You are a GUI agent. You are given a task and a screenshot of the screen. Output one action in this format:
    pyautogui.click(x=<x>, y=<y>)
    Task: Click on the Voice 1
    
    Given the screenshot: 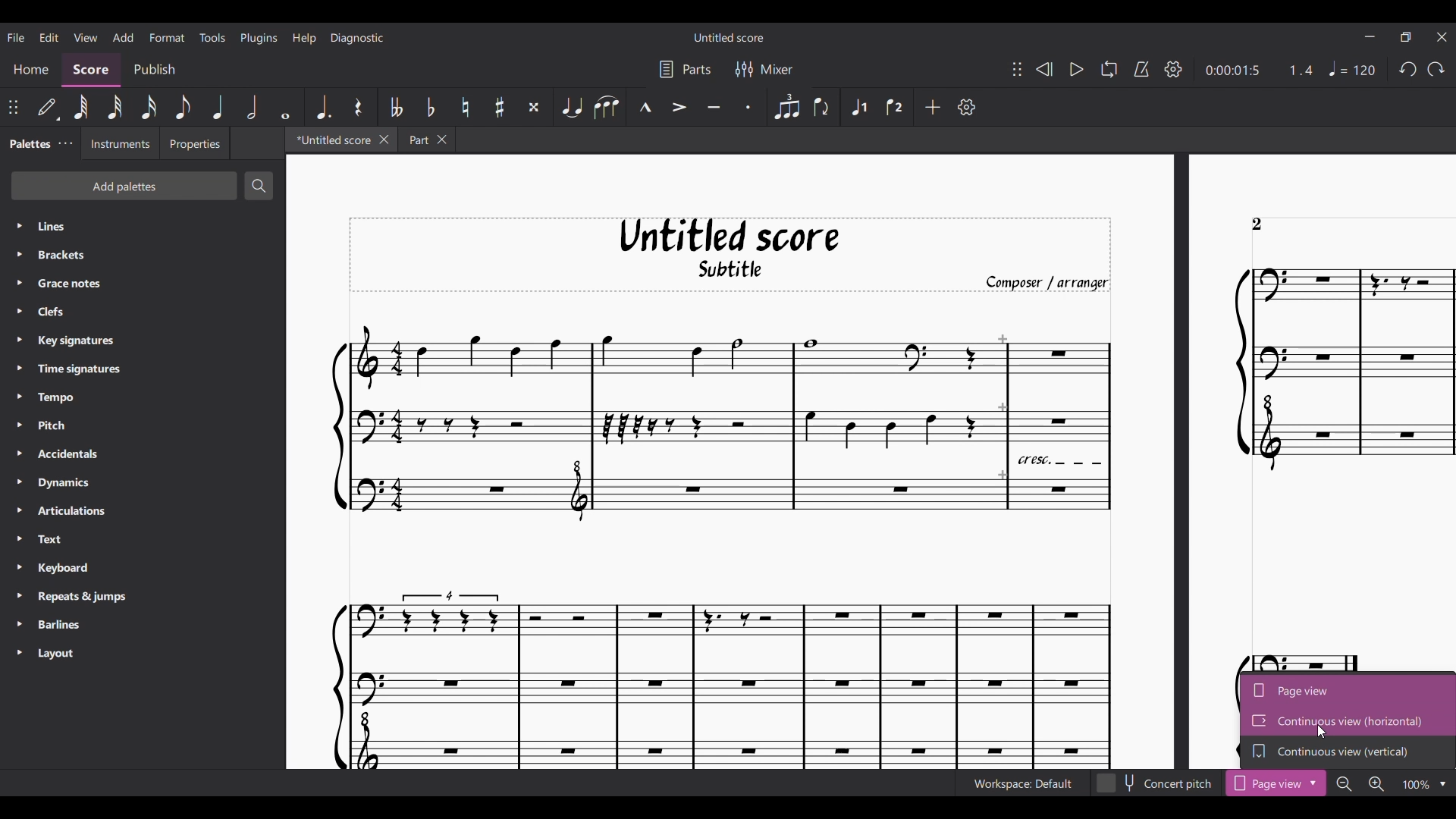 What is the action you would take?
    pyautogui.click(x=857, y=107)
    